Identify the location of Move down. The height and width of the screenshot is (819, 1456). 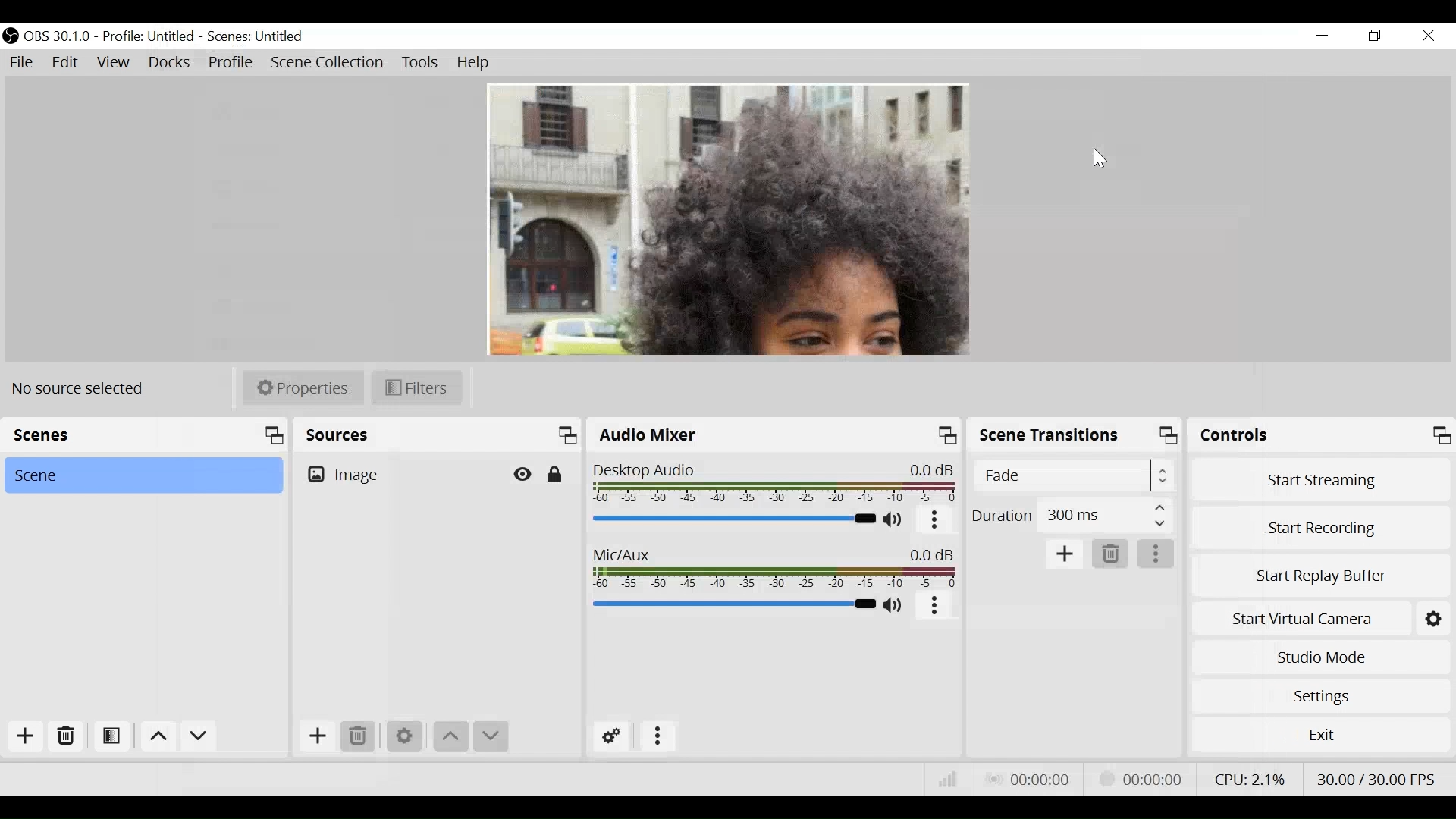
(493, 736).